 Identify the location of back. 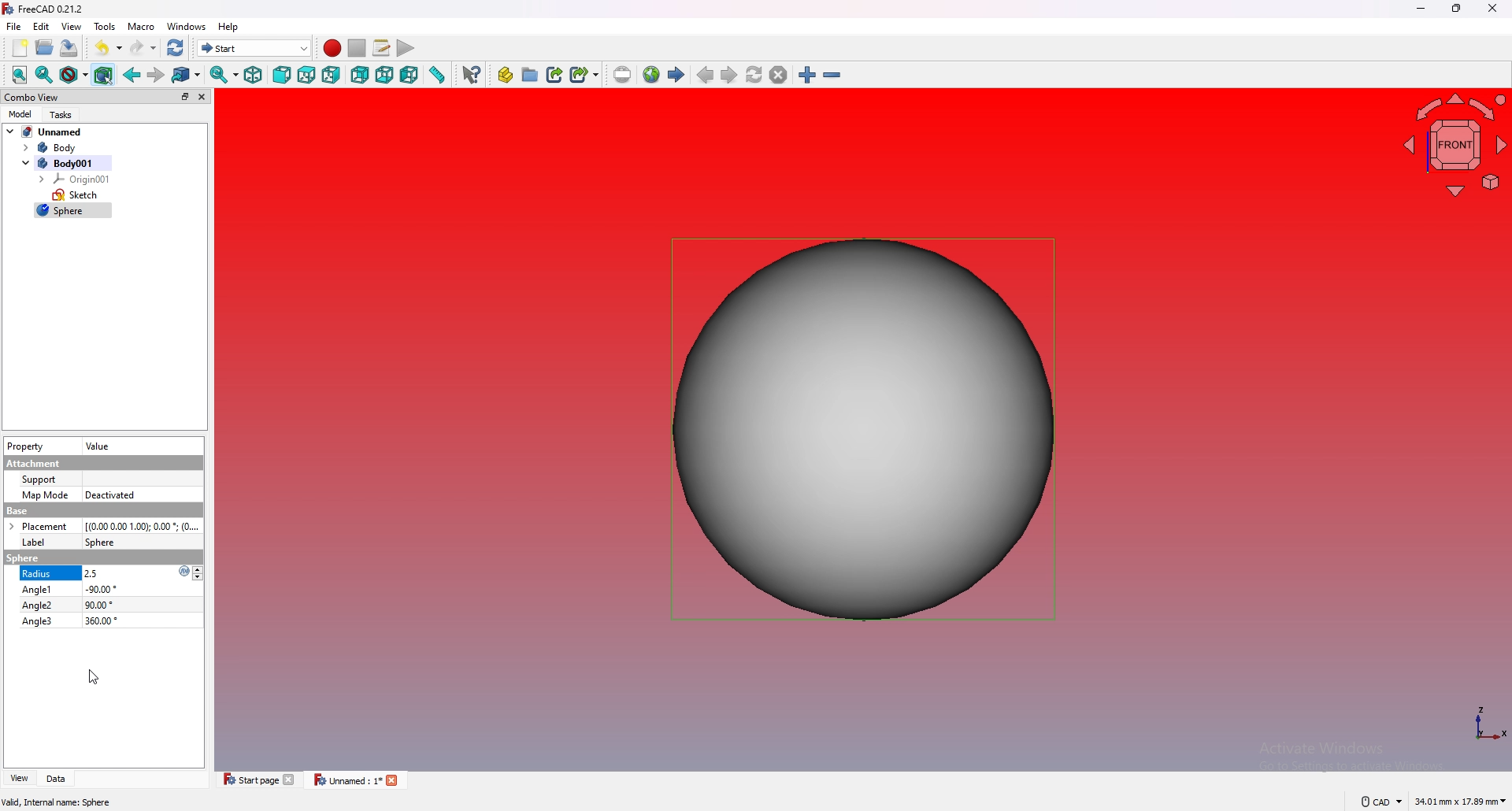
(132, 75).